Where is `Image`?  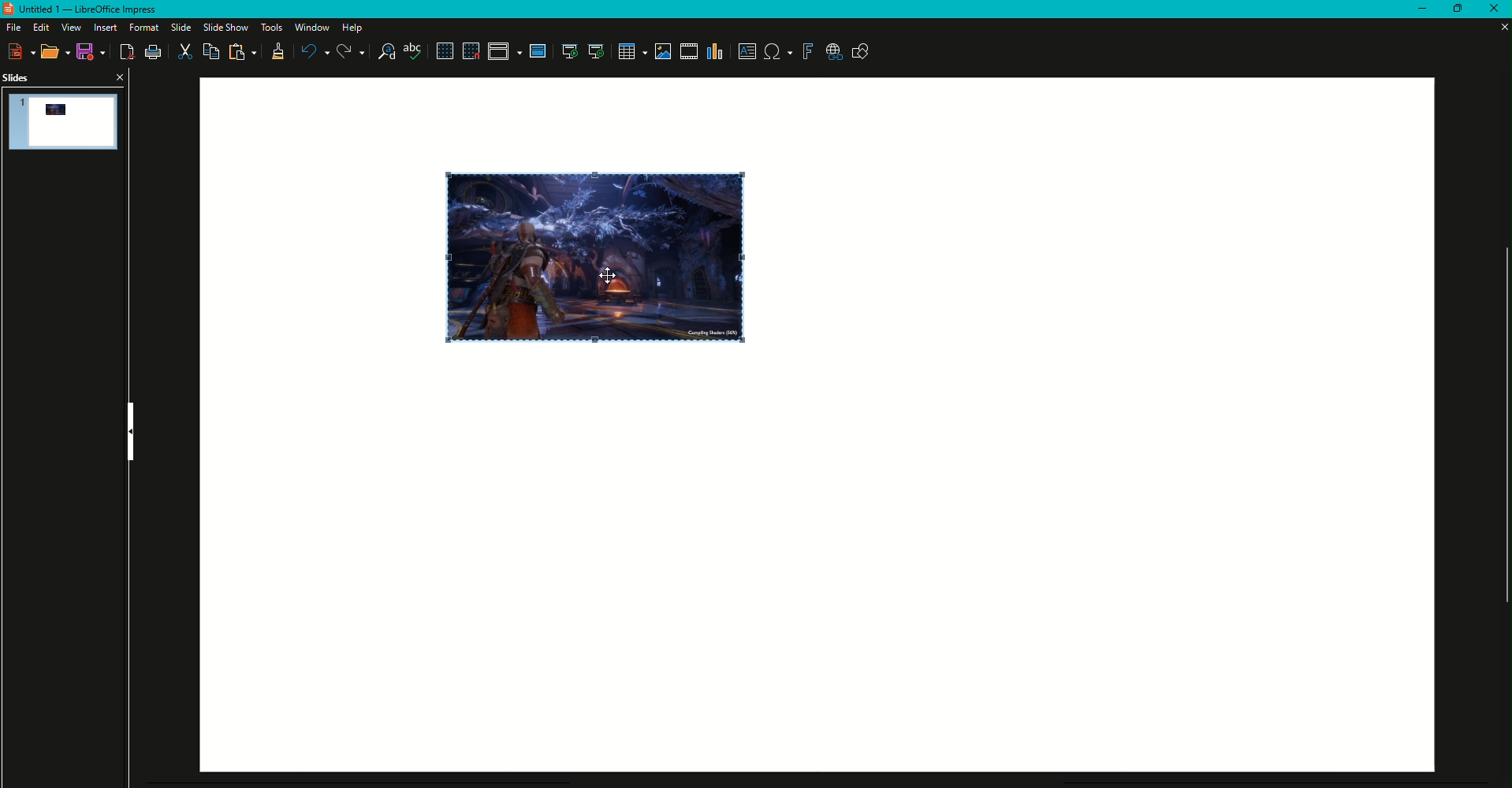 Image is located at coordinates (598, 255).